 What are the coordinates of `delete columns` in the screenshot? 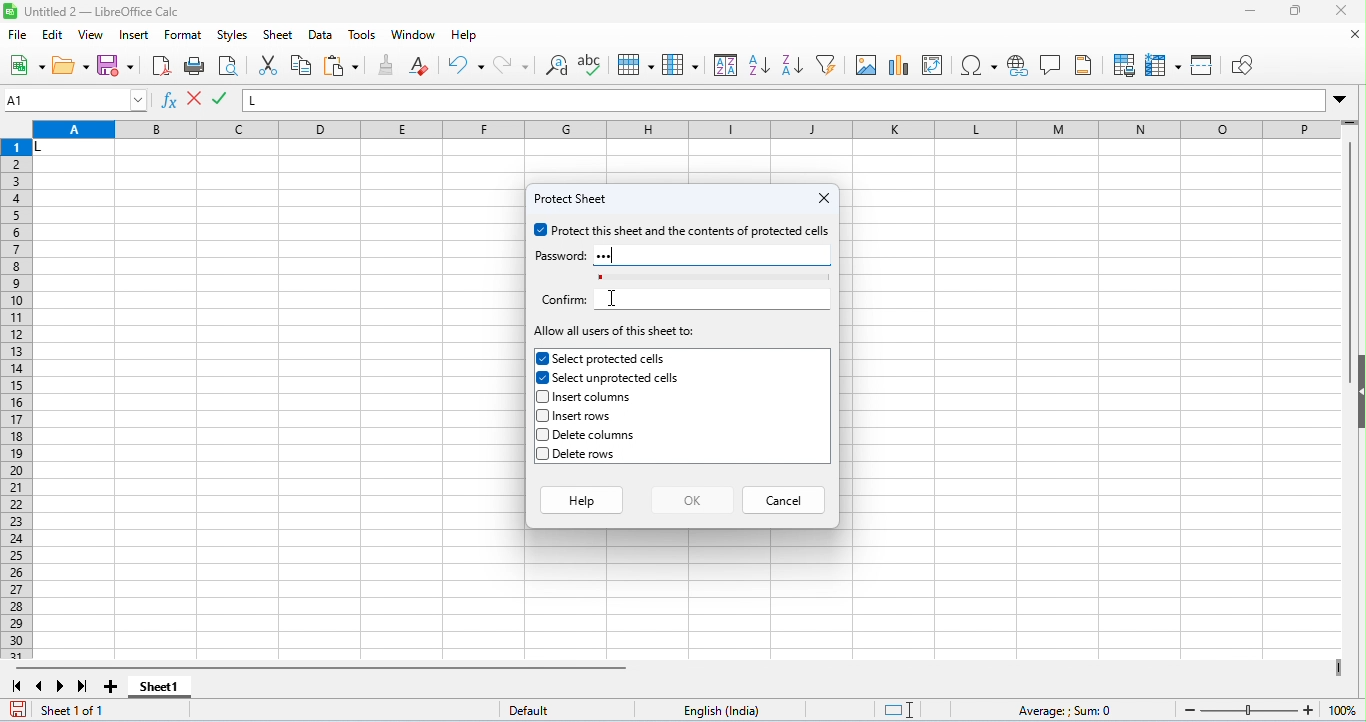 It's located at (589, 435).